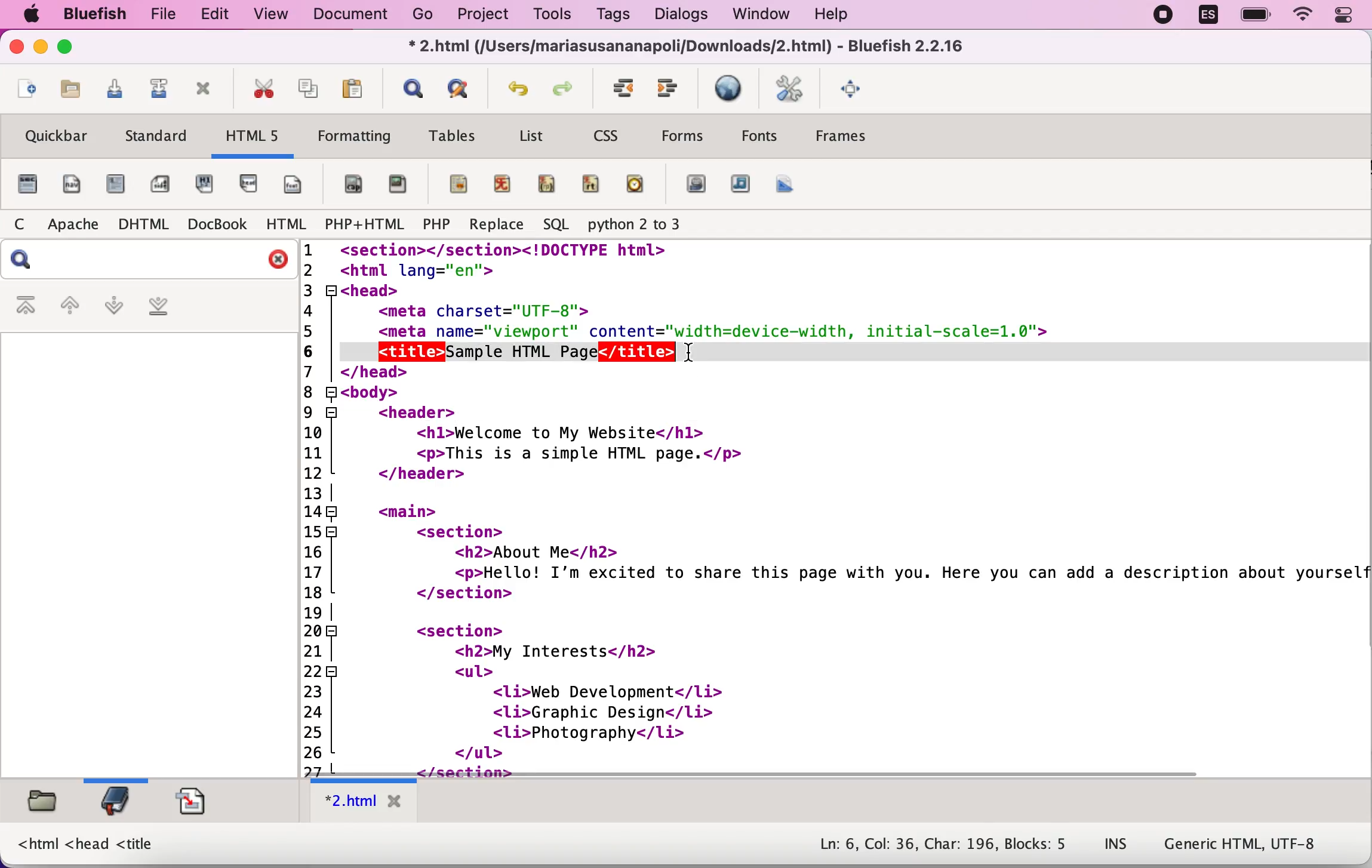 The width and height of the screenshot is (1372, 868). Describe the element at coordinates (265, 90) in the screenshot. I see `cut` at that location.